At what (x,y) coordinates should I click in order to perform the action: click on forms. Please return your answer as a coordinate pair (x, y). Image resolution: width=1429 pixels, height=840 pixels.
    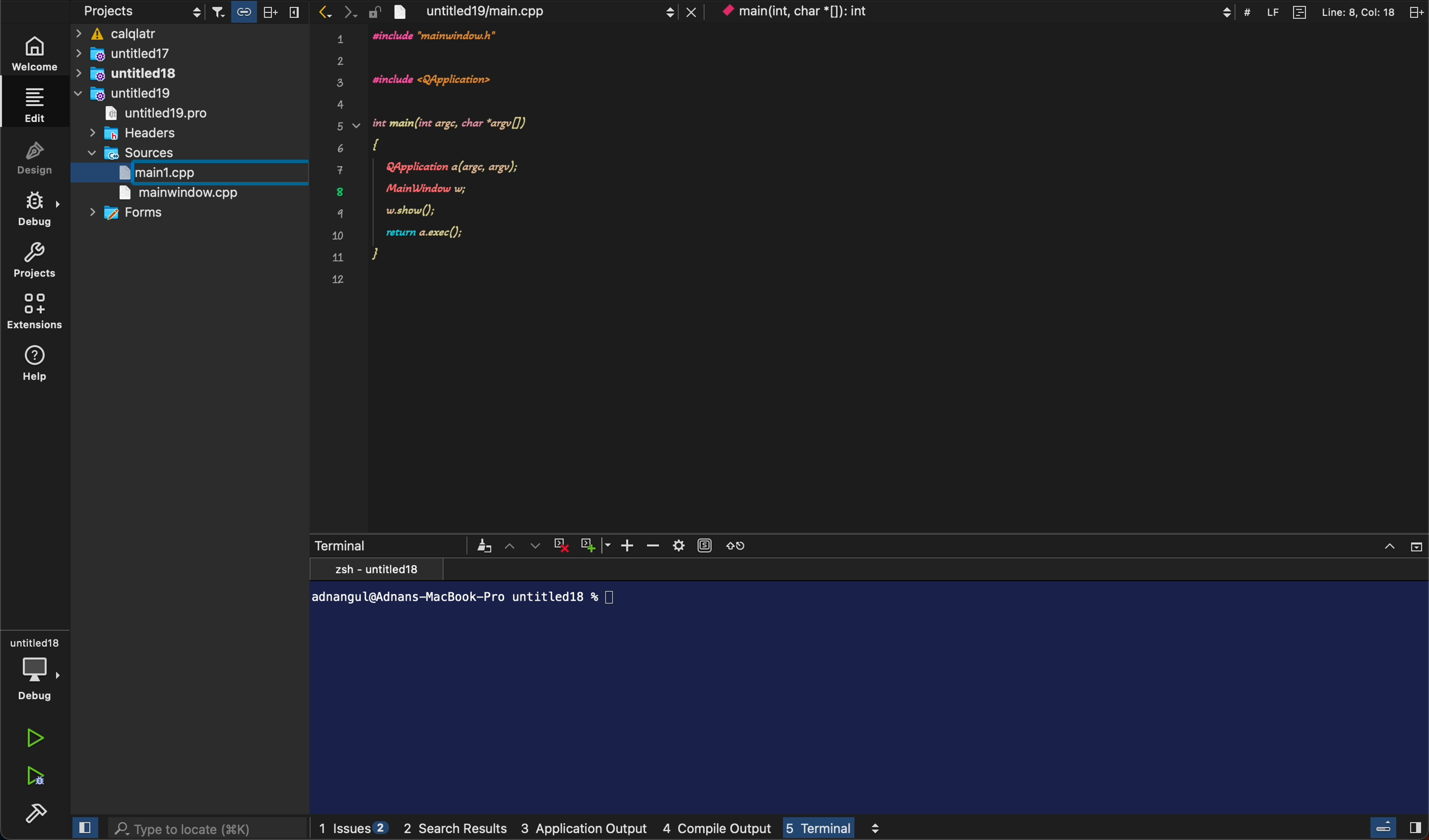
    Looking at the image, I should click on (133, 214).